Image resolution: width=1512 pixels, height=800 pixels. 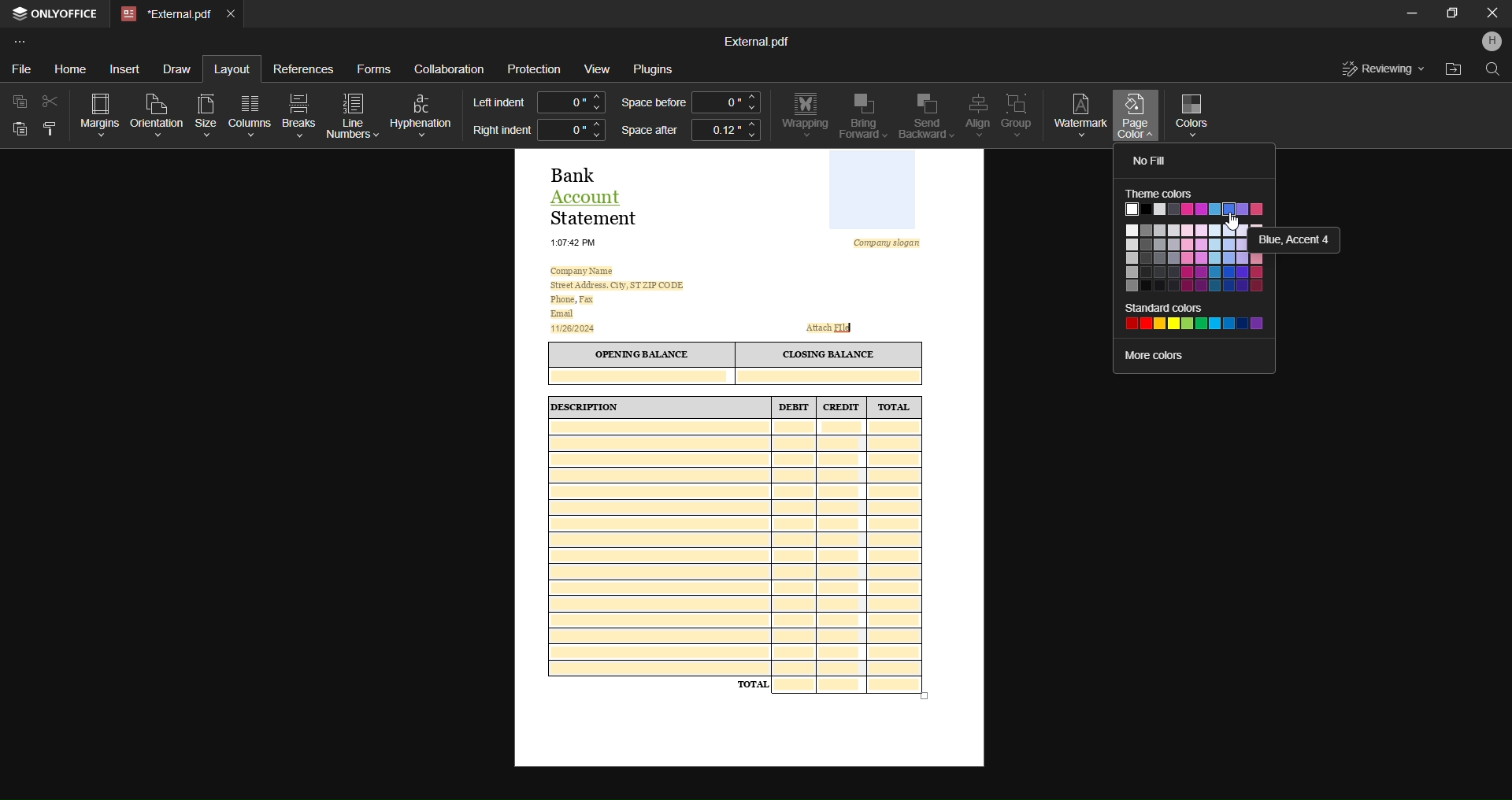 I want to click on Groups, so click(x=1017, y=115).